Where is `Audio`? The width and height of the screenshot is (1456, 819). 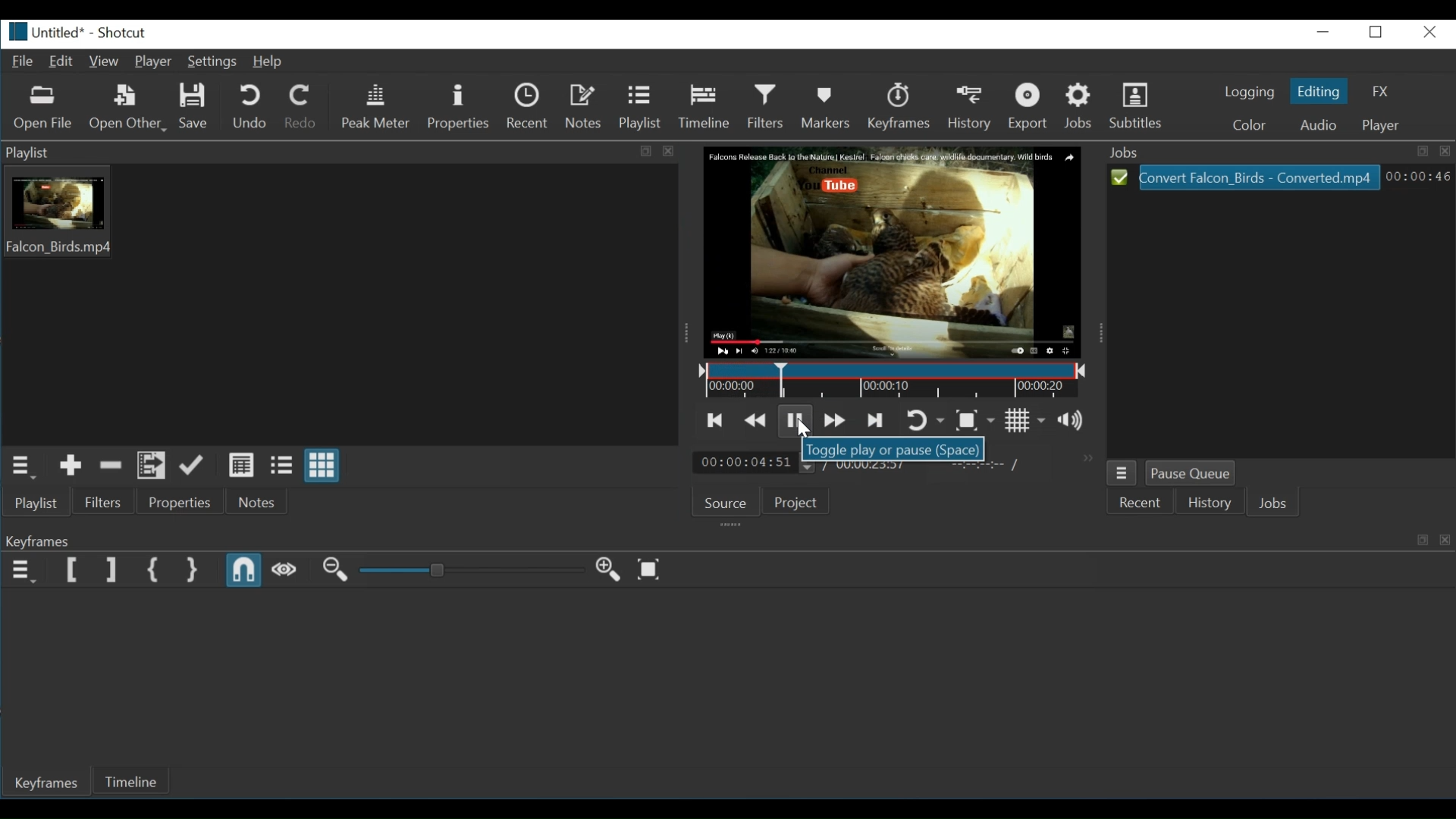 Audio is located at coordinates (1321, 126).